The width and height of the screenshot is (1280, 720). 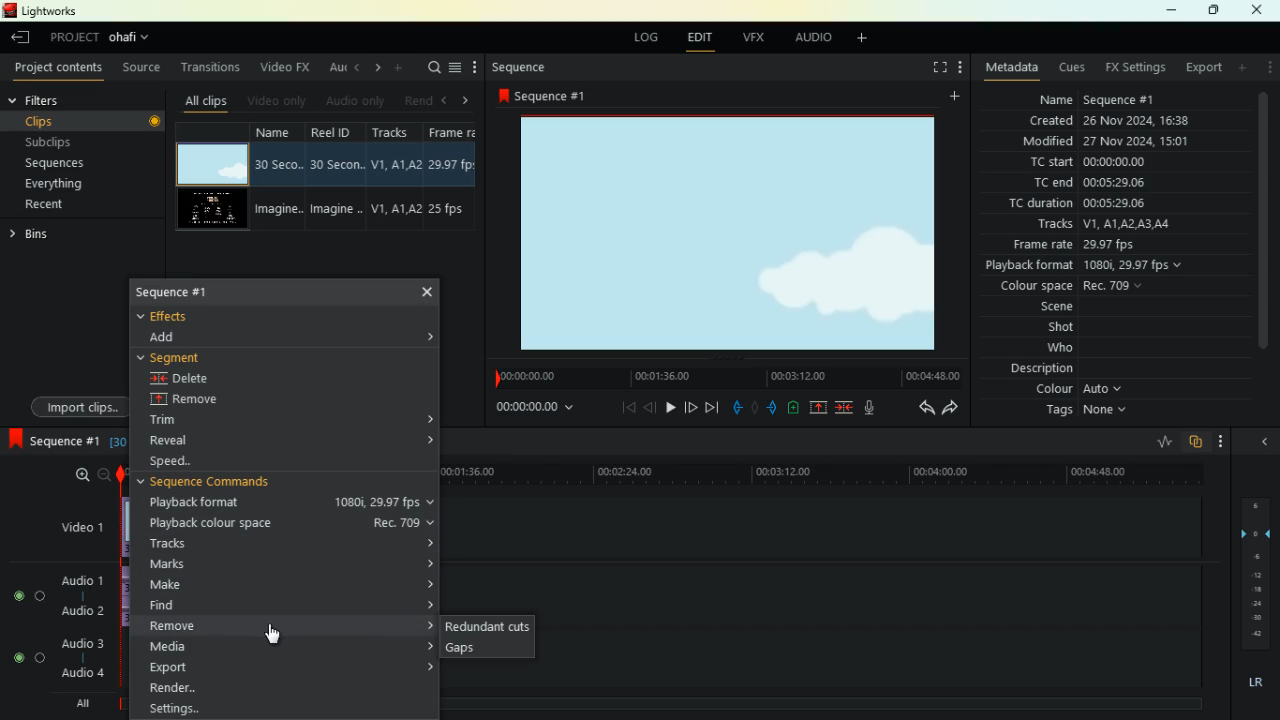 I want to click on Mouse Cursor, so click(x=278, y=634).